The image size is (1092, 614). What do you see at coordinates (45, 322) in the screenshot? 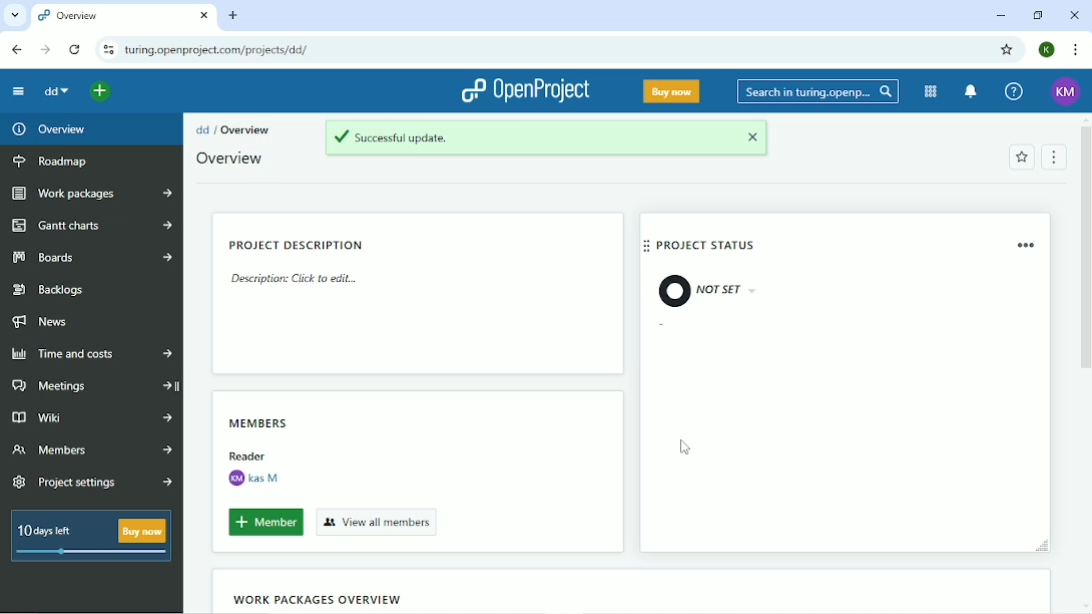
I see `News` at bounding box center [45, 322].